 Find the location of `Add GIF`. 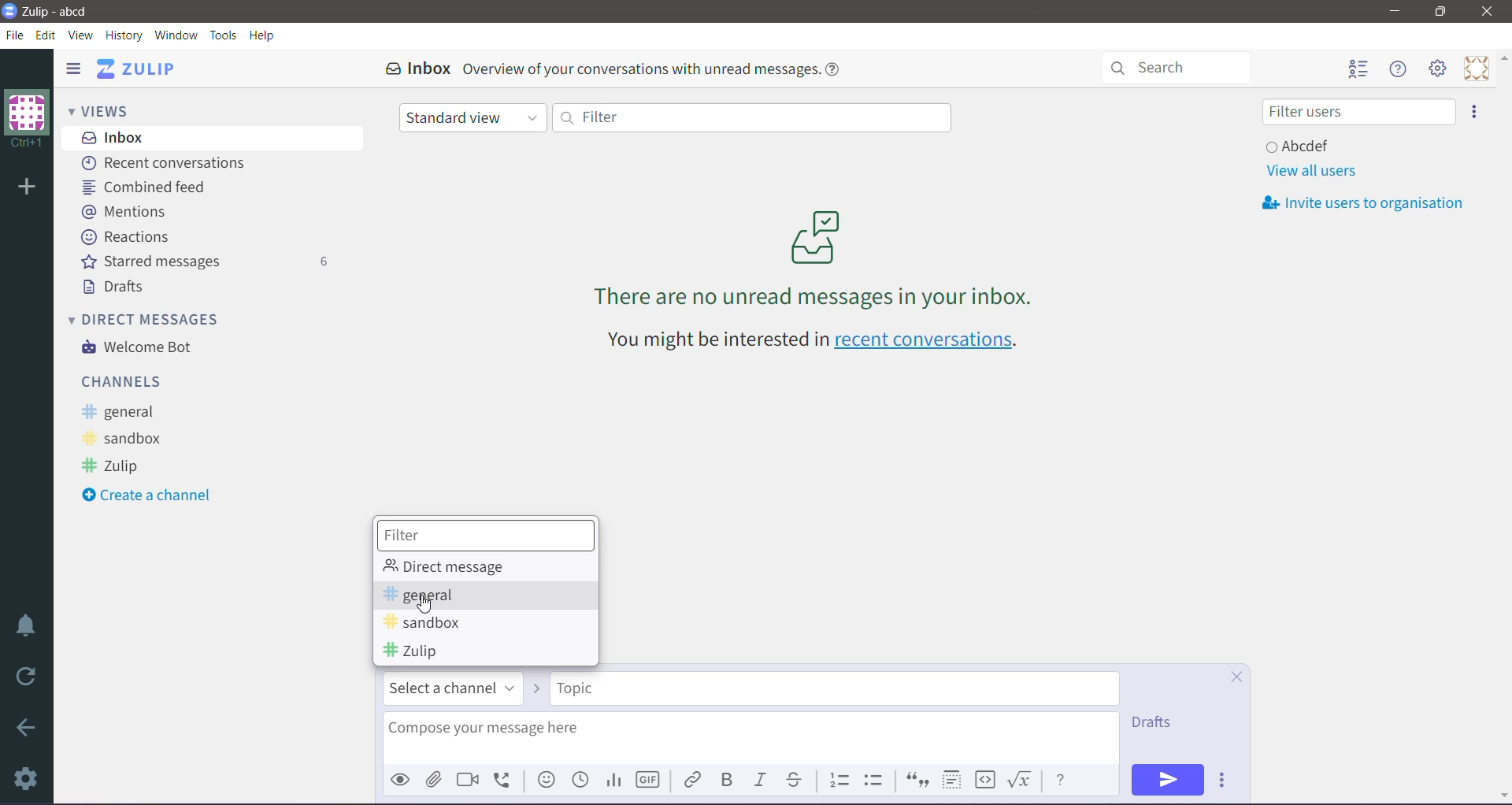

Add GIF is located at coordinates (647, 781).